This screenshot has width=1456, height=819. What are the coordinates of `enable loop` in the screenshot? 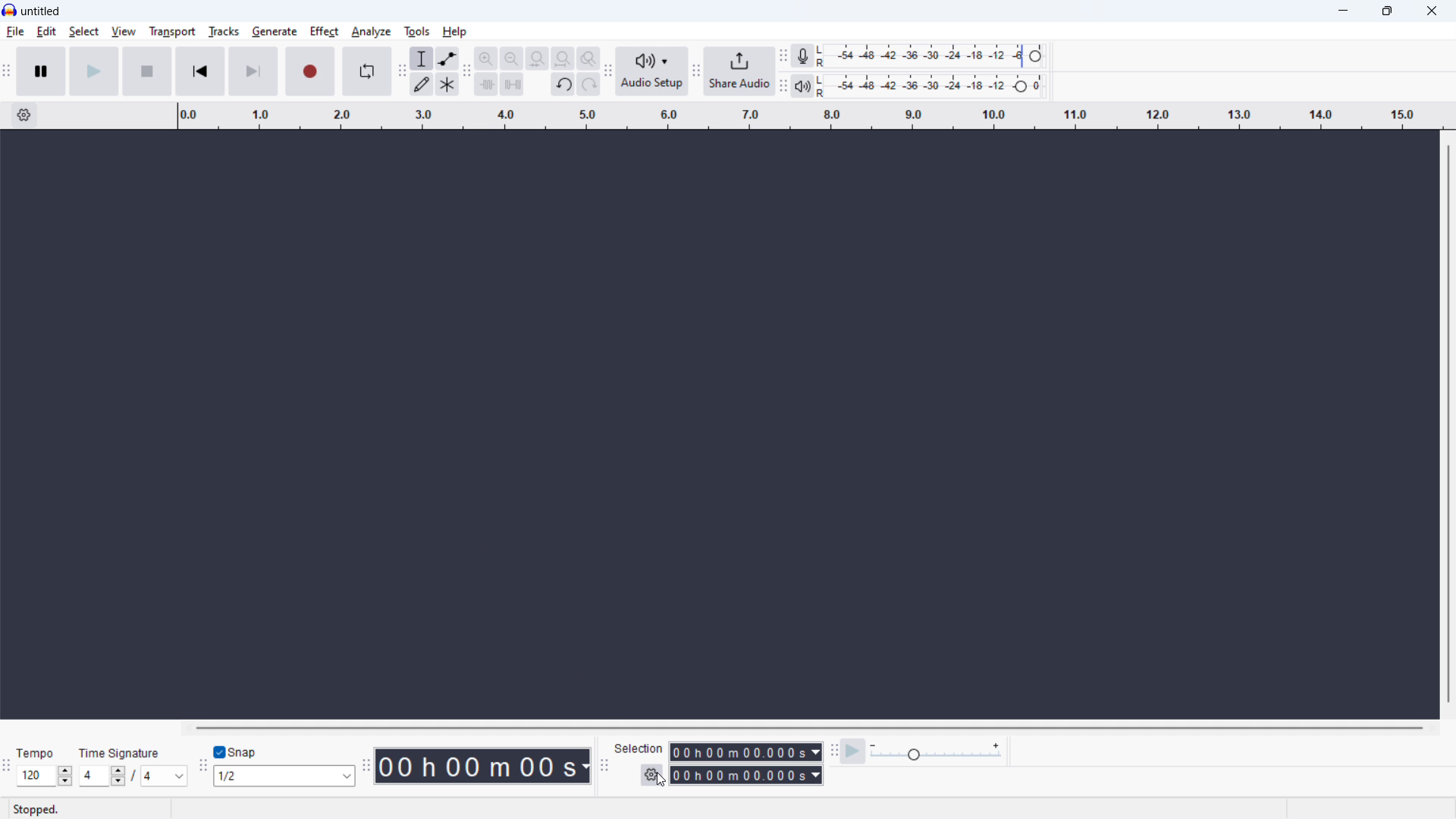 It's located at (367, 71).